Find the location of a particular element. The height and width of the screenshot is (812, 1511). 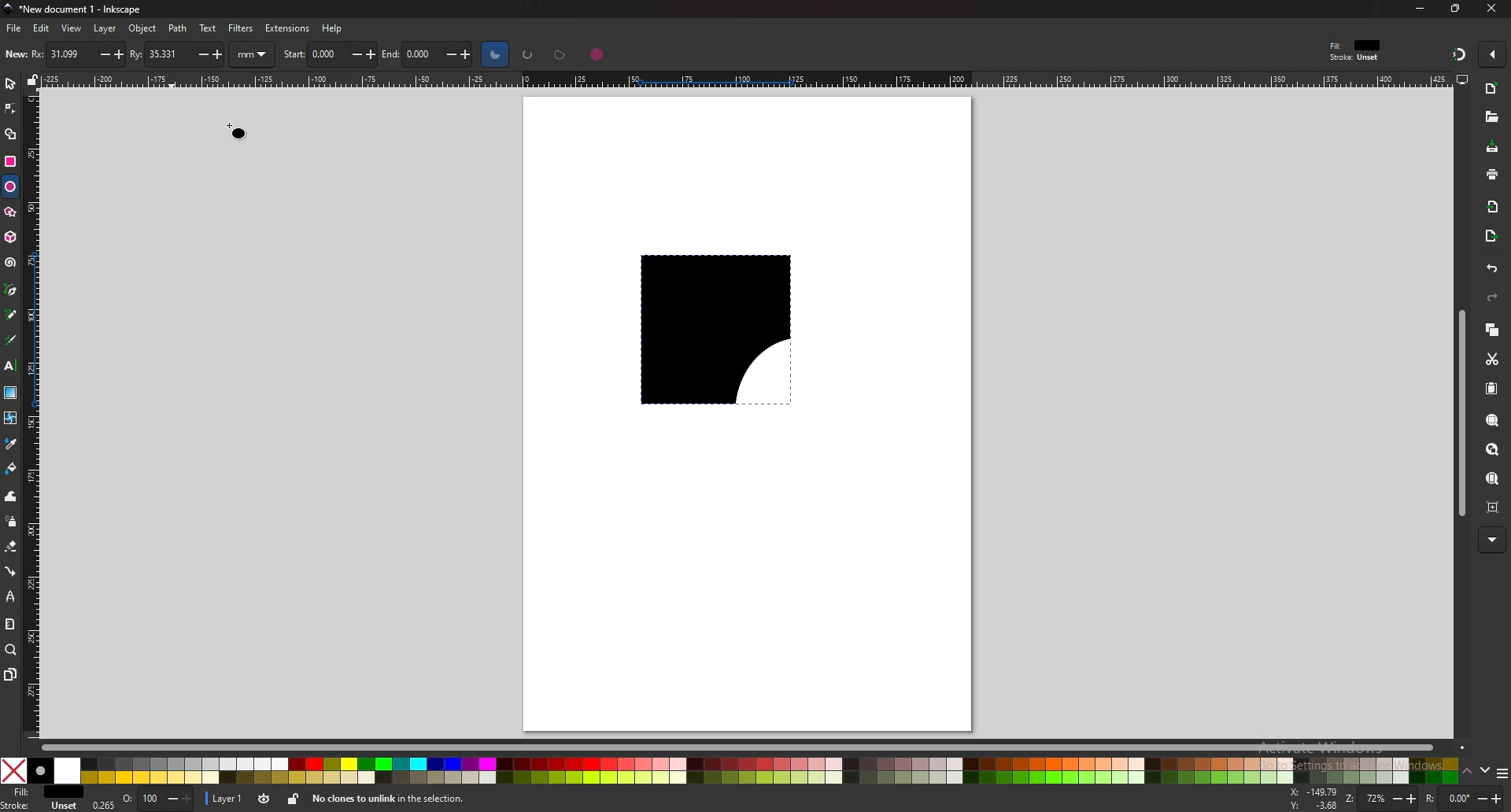

horizontal ruler is located at coordinates (739, 79).